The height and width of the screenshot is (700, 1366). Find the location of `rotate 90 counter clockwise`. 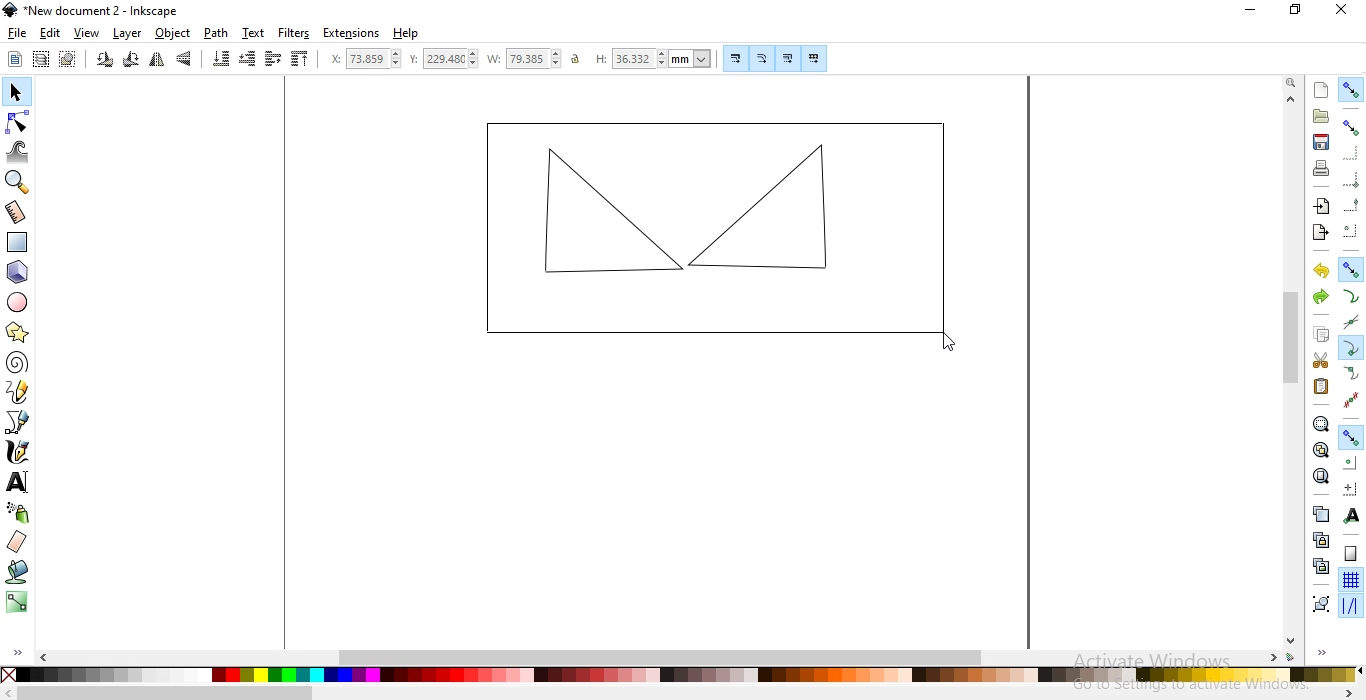

rotate 90 counter clockwise is located at coordinates (104, 60).